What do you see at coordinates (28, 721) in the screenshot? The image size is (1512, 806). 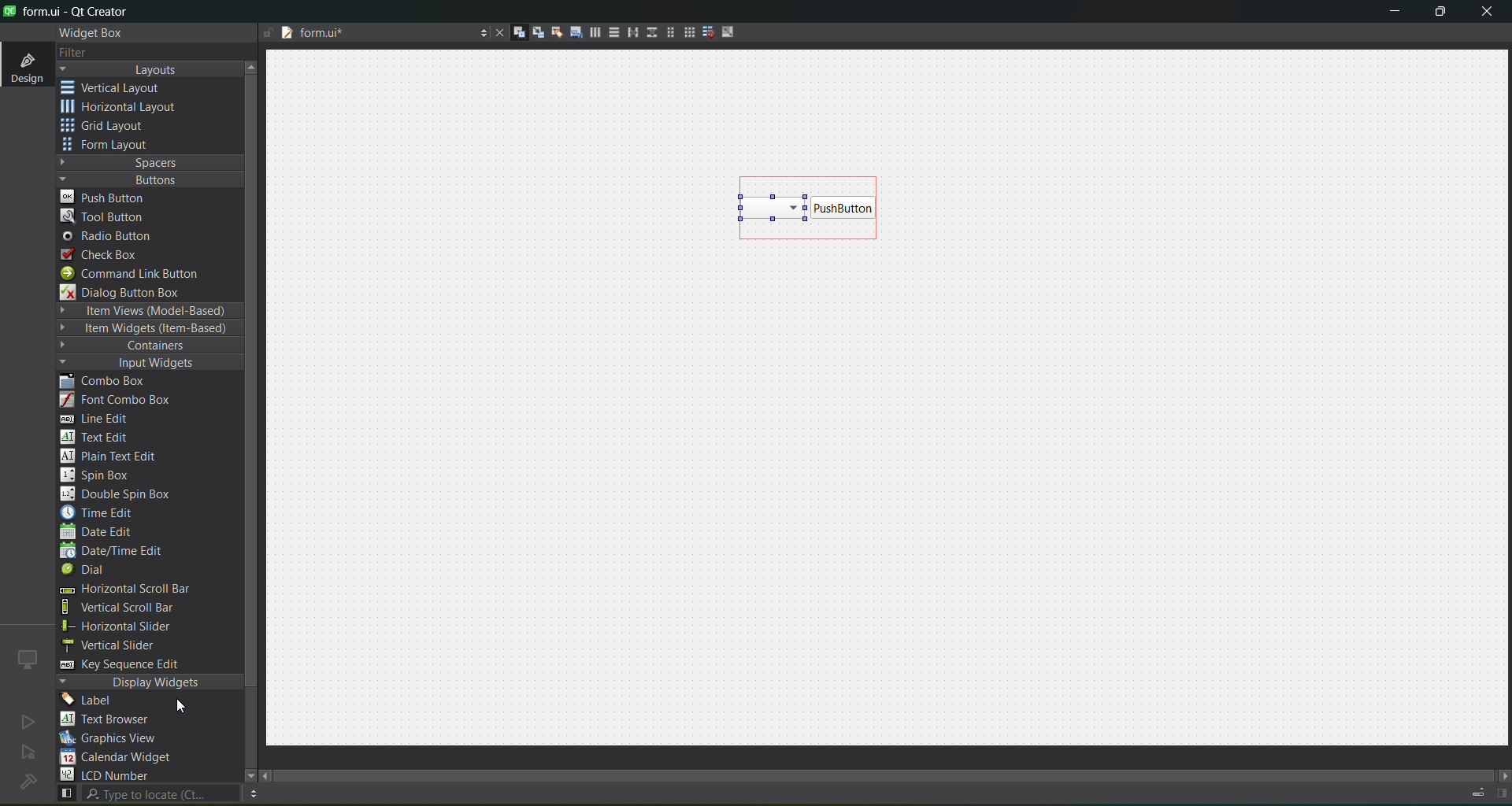 I see `no active project` at bounding box center [28, 721].